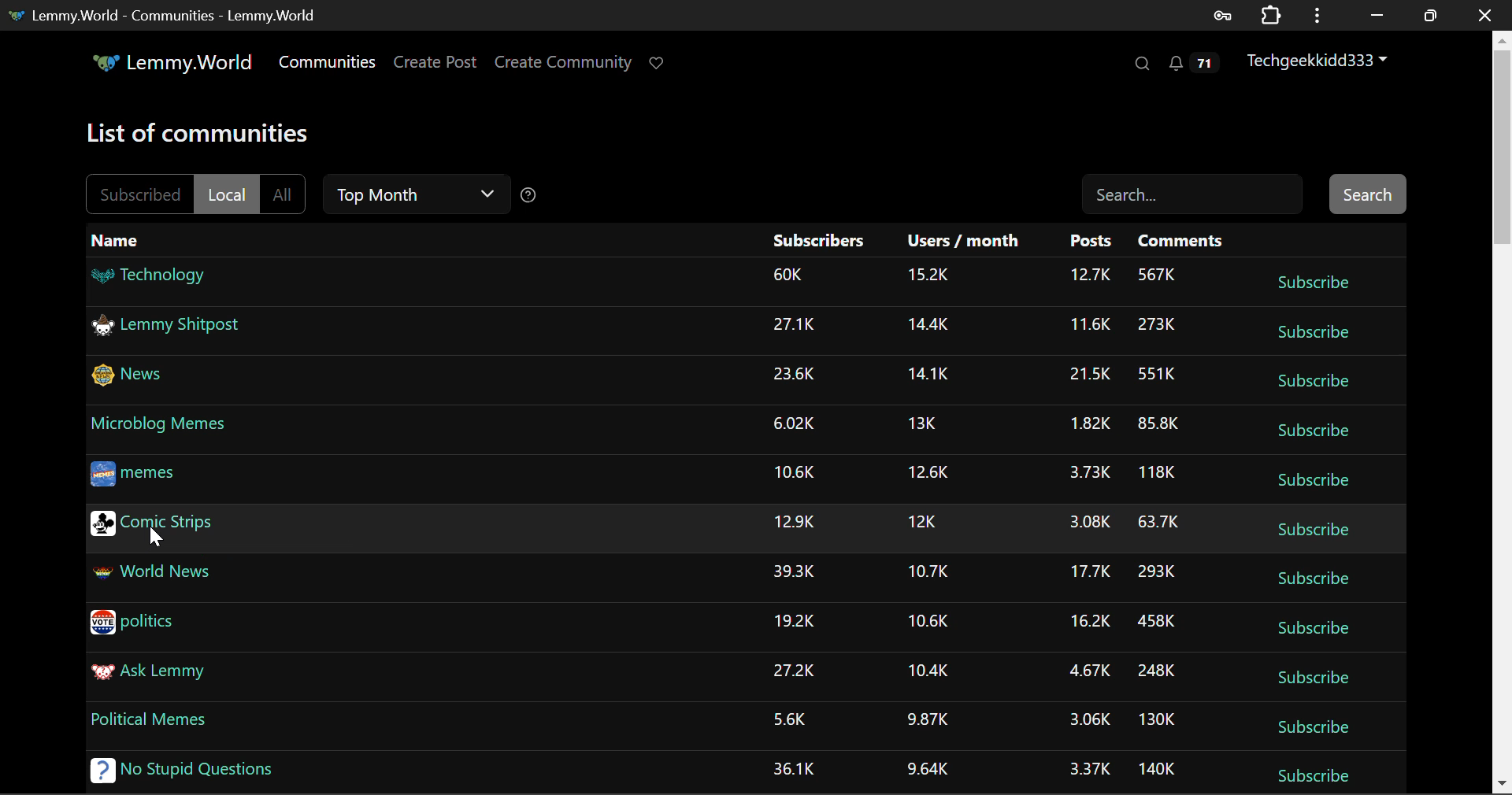  What do you see at coordinates (170, 62) in the screenshot?
I see `Lemmy.World` at bounding box center [170, 62].